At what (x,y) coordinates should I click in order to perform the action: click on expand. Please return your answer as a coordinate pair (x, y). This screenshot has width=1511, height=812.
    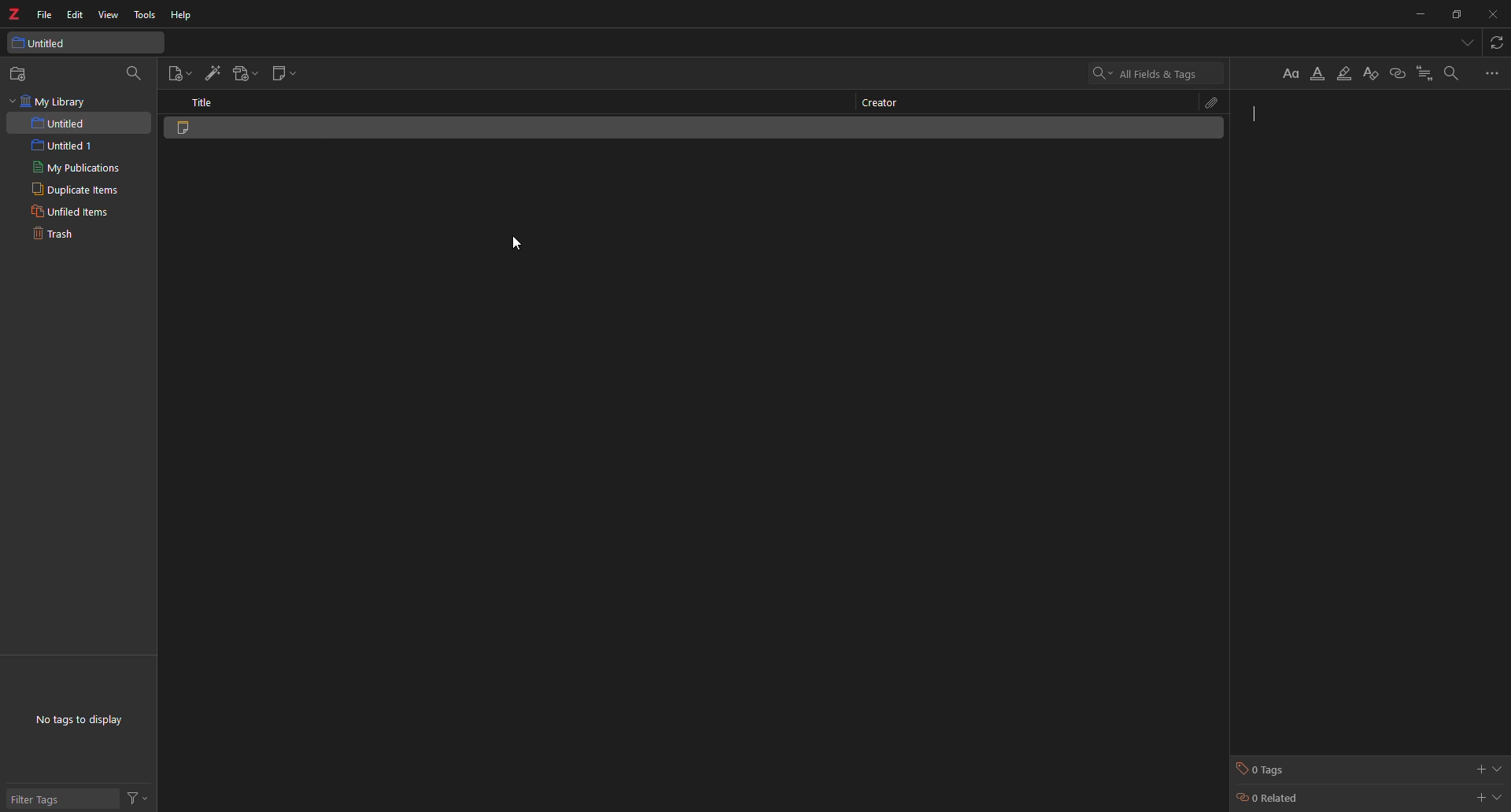
    Looking at the image, I should click on (1500, 799).